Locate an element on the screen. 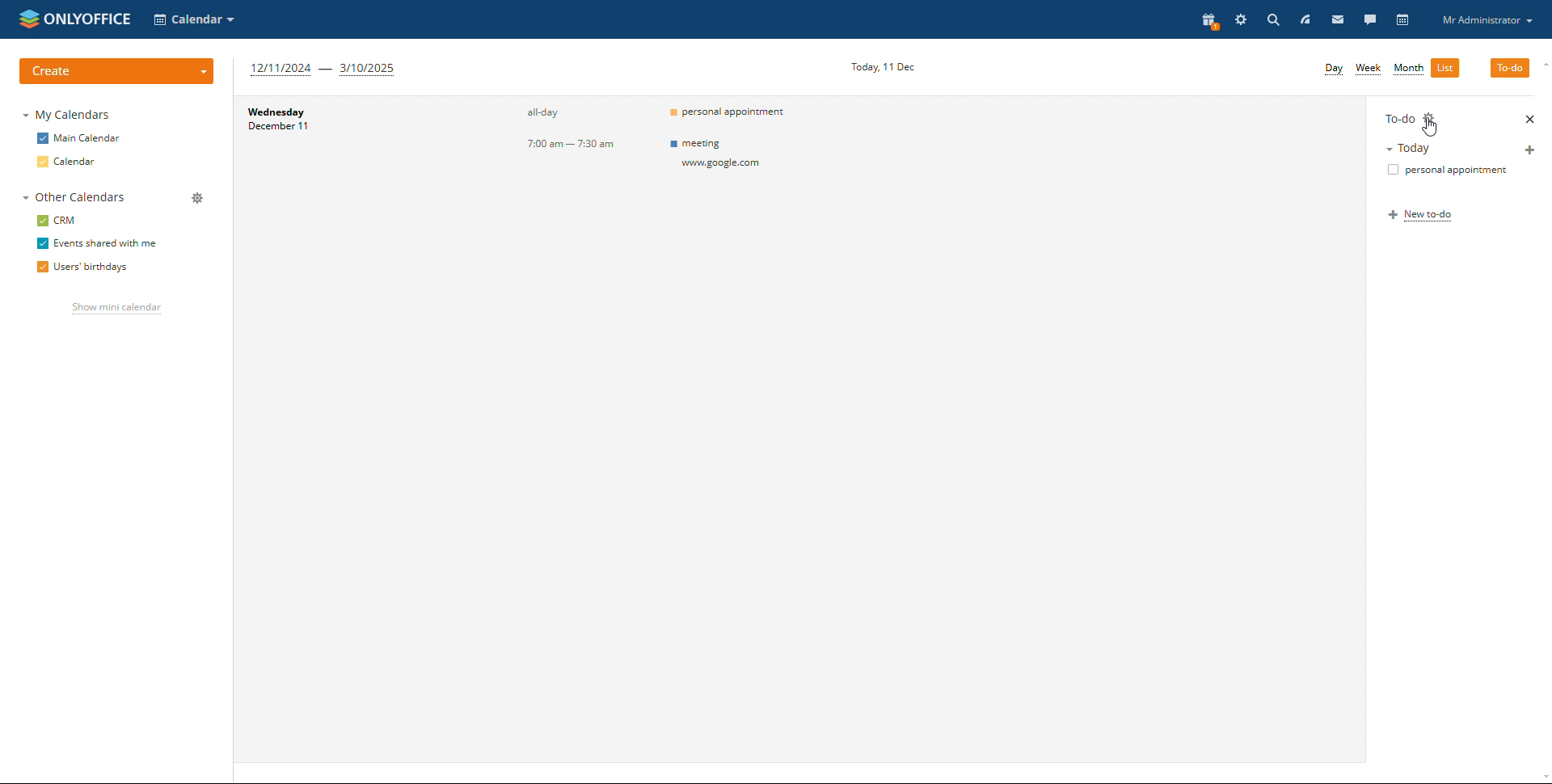 This screenshot has width=1552, height=784. users' birthdays is located at coordinates (82, 267).